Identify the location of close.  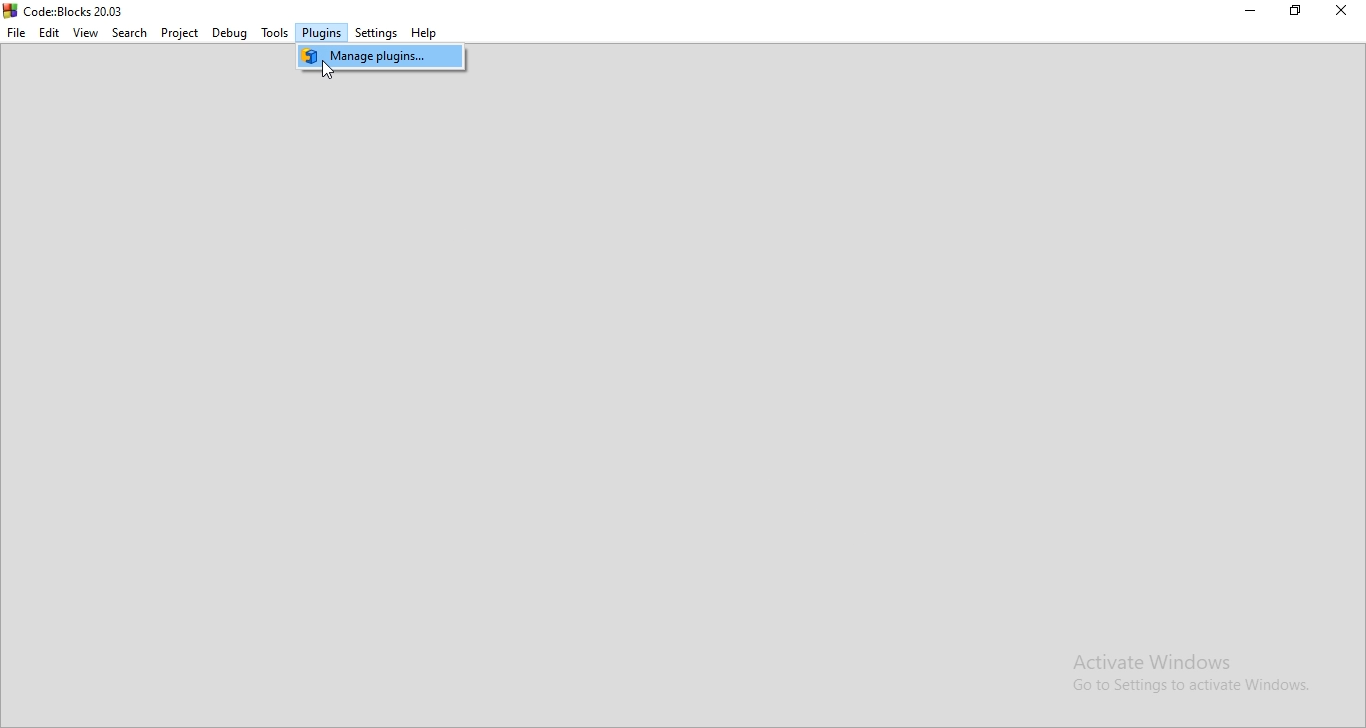
(1338, 9).